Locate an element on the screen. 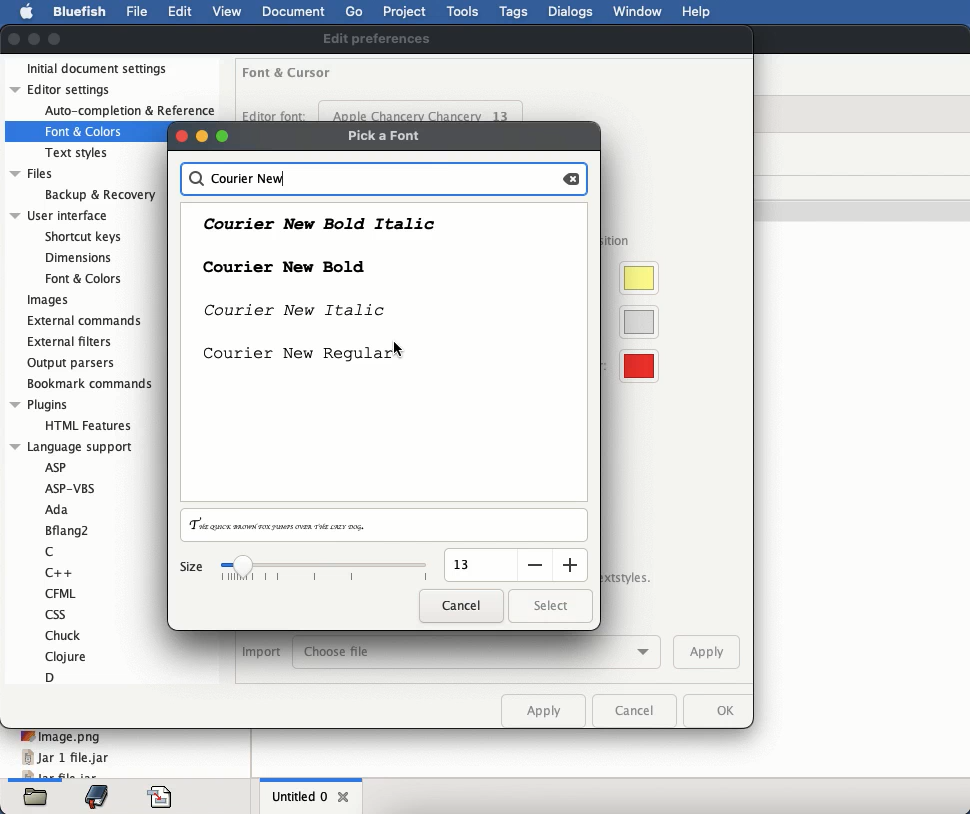 Image resolution: width=970 pixels, height=814 pixels. initial document settings is located at coordinates (104, 68).